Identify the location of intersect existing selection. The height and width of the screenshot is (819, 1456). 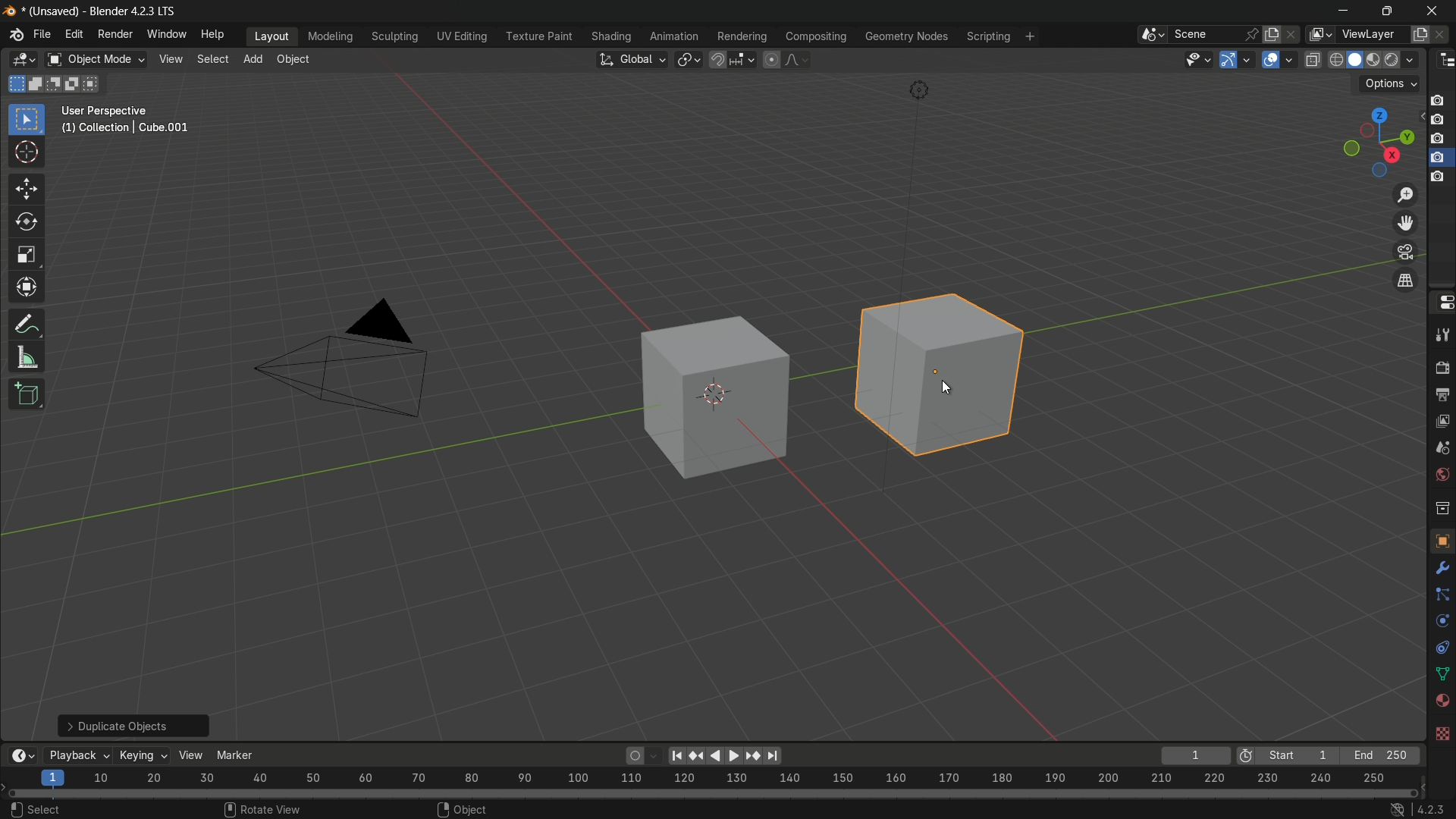
(94, 86).